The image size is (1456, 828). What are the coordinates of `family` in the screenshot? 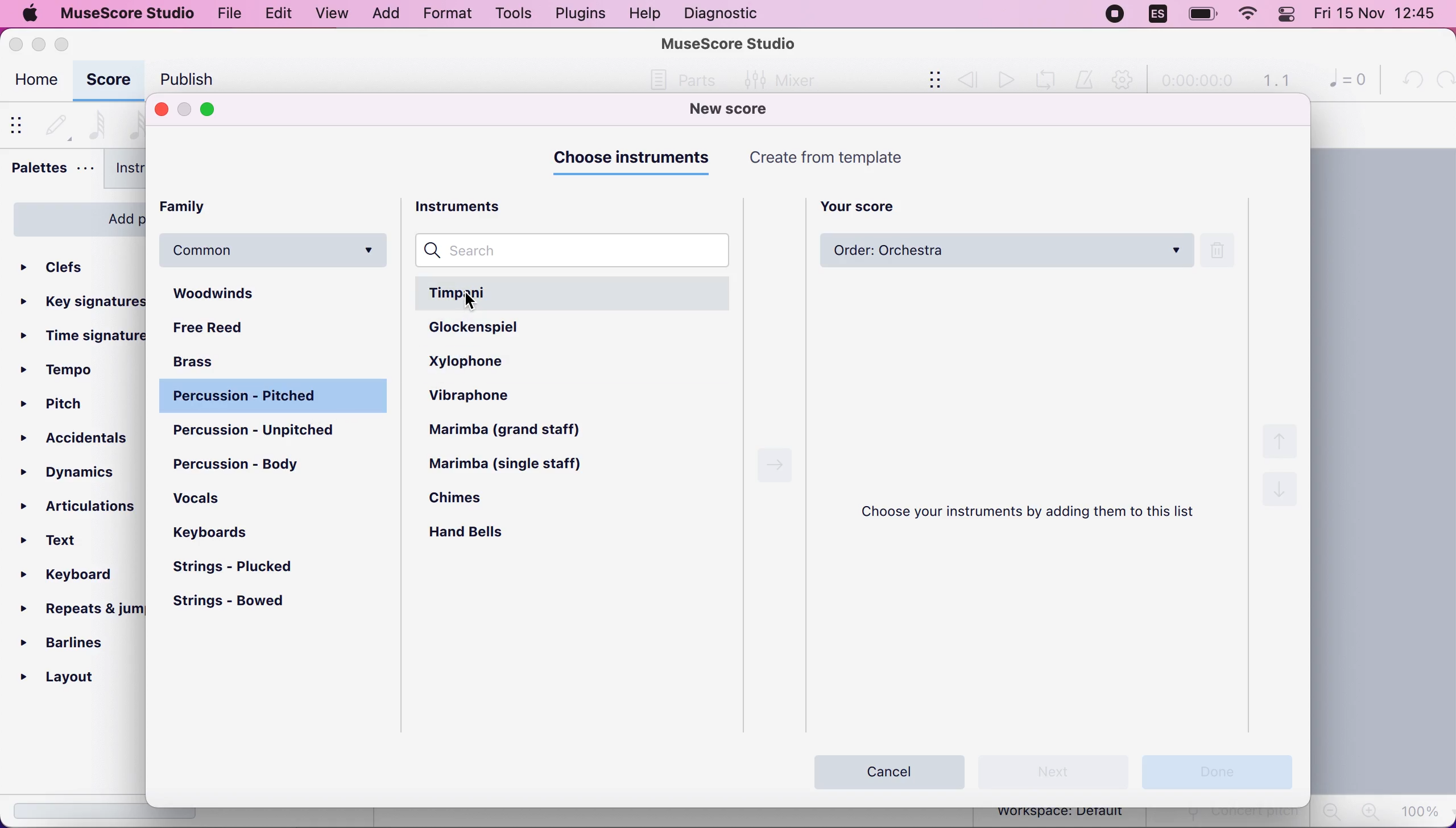 It's located at (204, 208).